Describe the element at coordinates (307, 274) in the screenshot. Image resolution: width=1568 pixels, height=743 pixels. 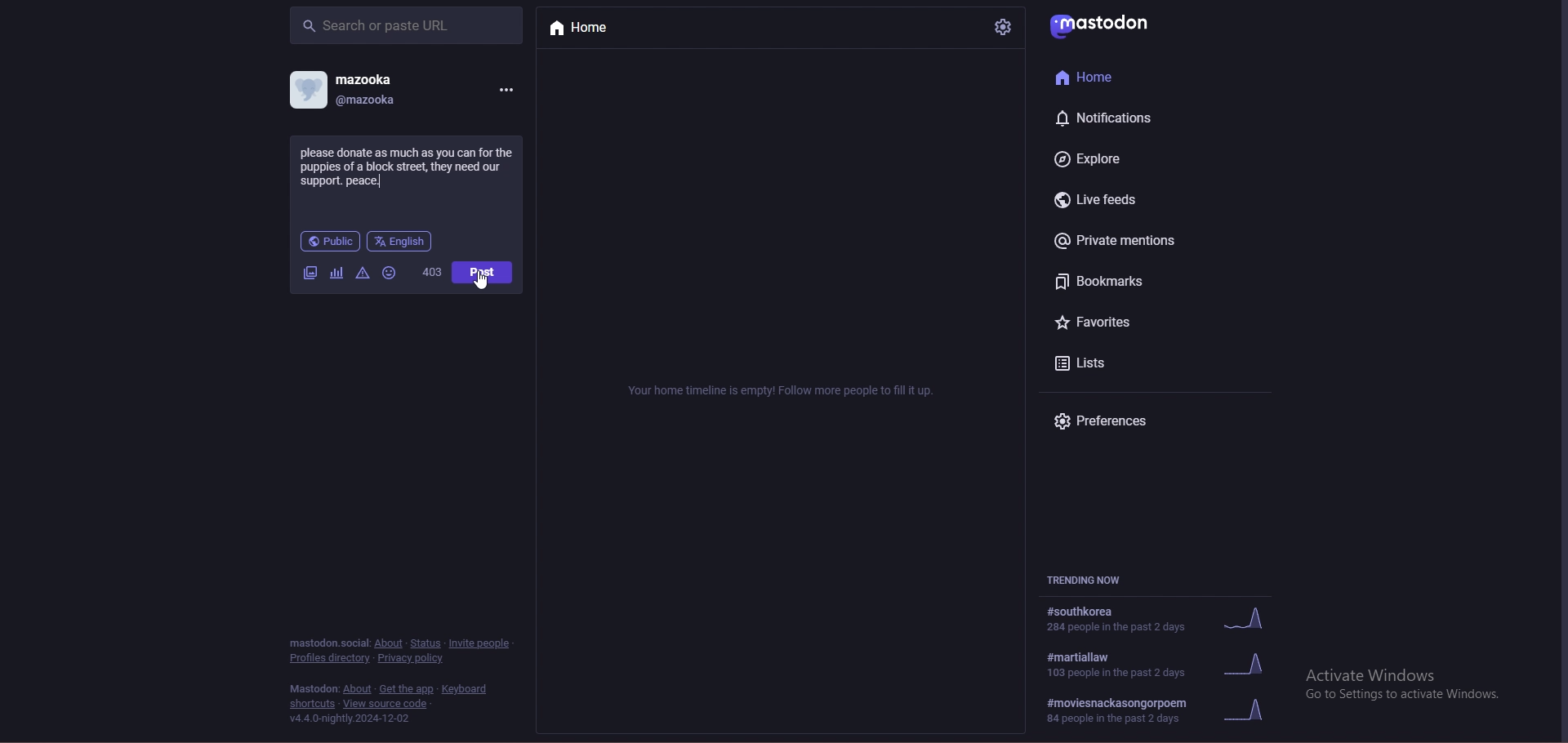
I see `image` at that location.